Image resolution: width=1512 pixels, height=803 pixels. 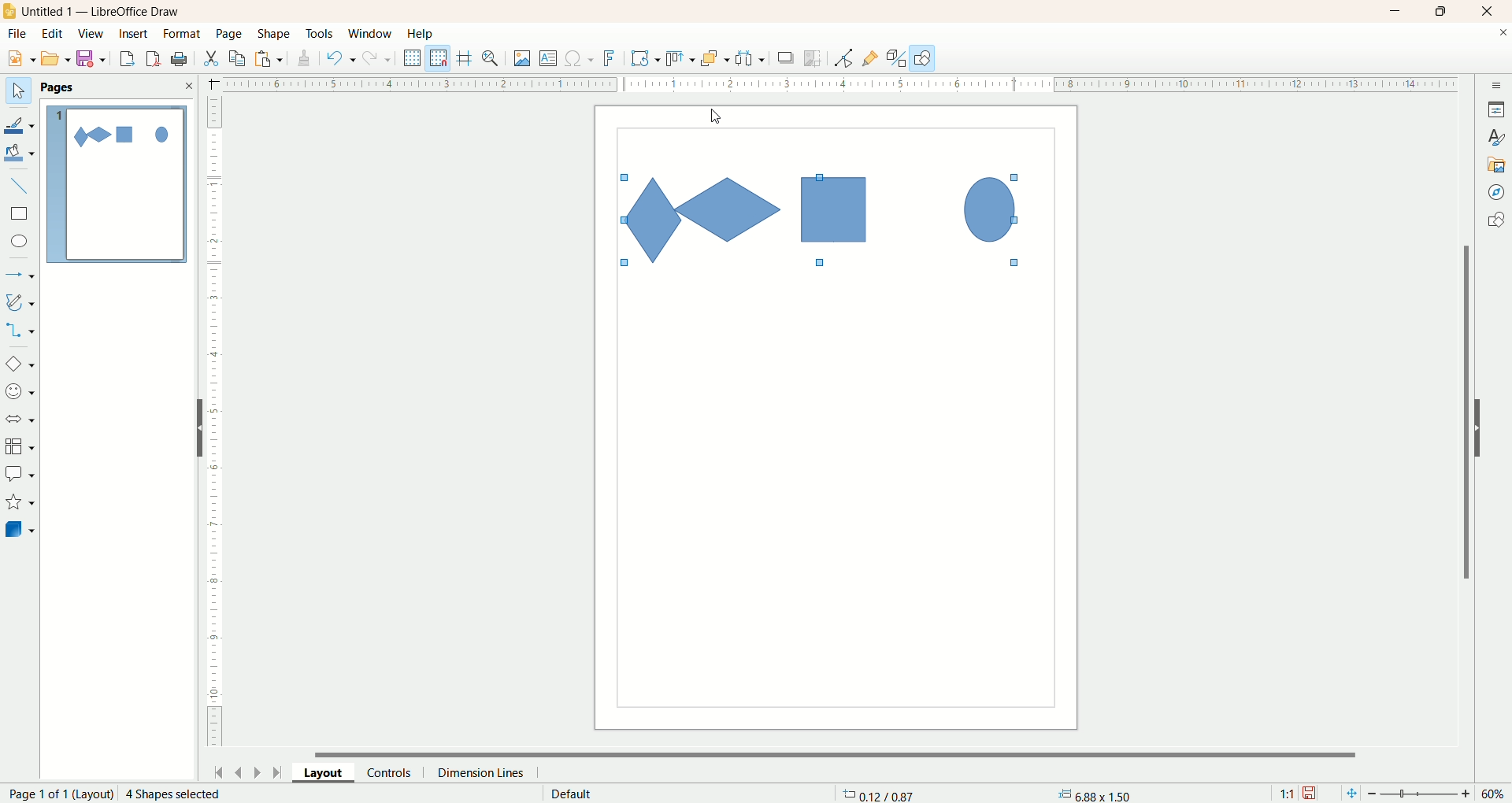 I want to click on page, so click(x=231, y=33).